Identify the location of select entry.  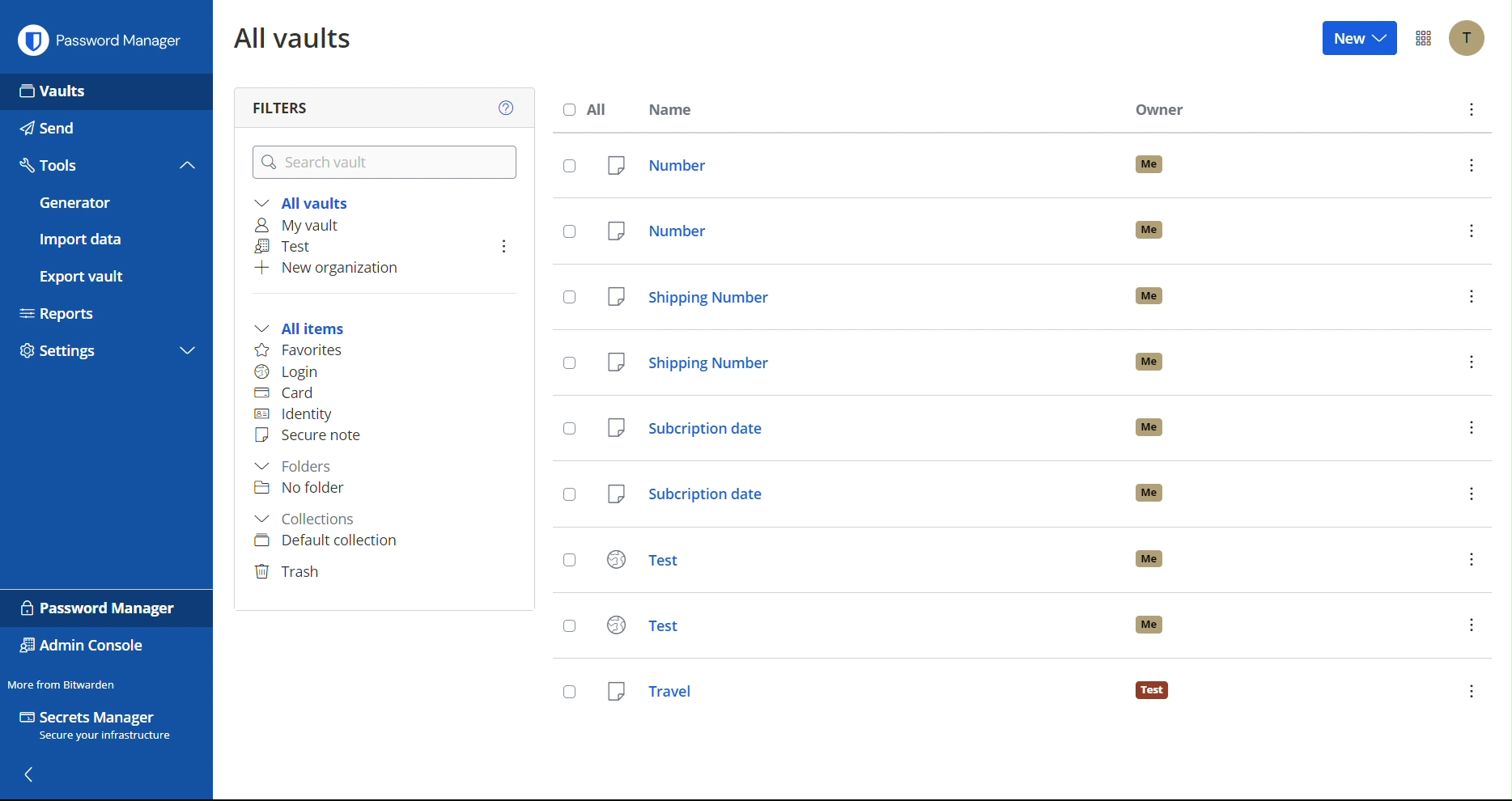
(568, 495).